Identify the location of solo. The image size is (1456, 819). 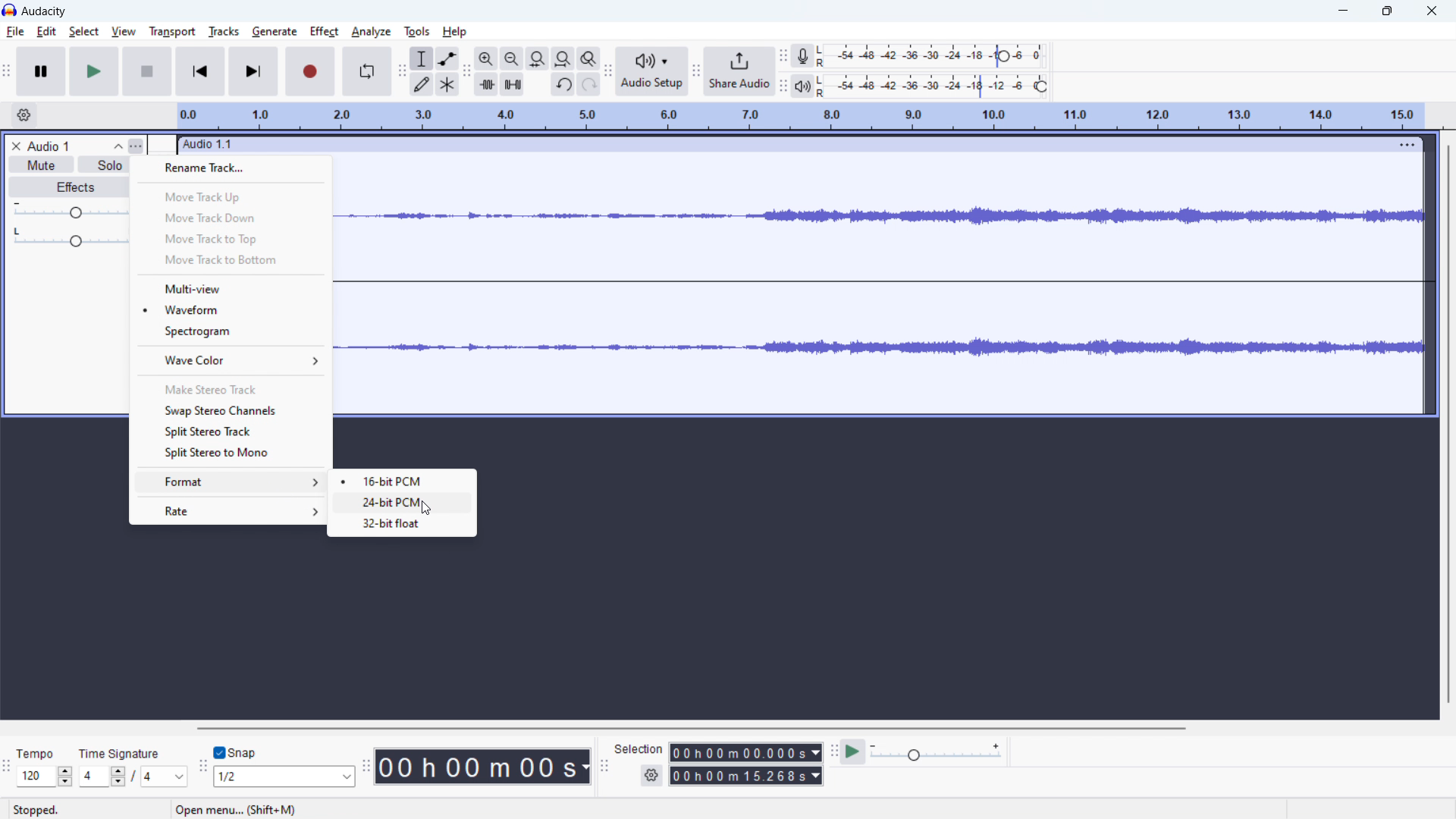
(105, 164).